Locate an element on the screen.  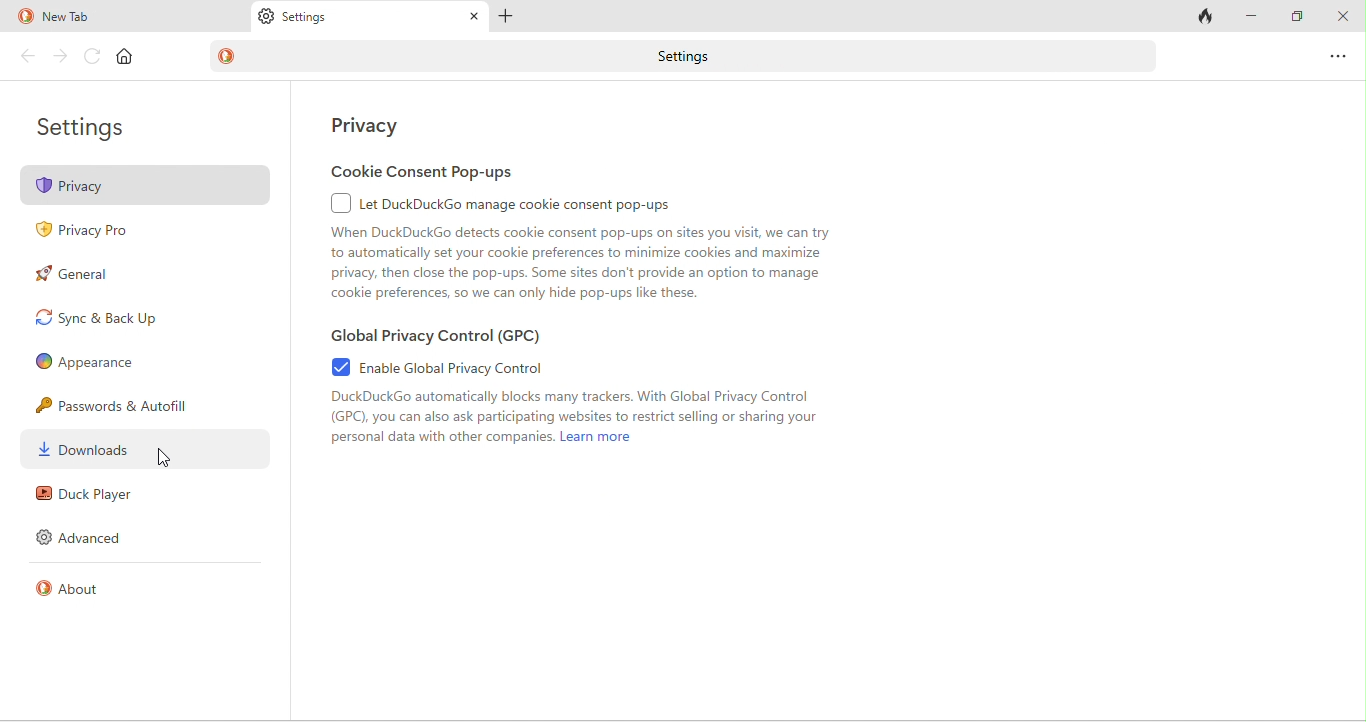
sync and back up is located at coordinates (114, 322).